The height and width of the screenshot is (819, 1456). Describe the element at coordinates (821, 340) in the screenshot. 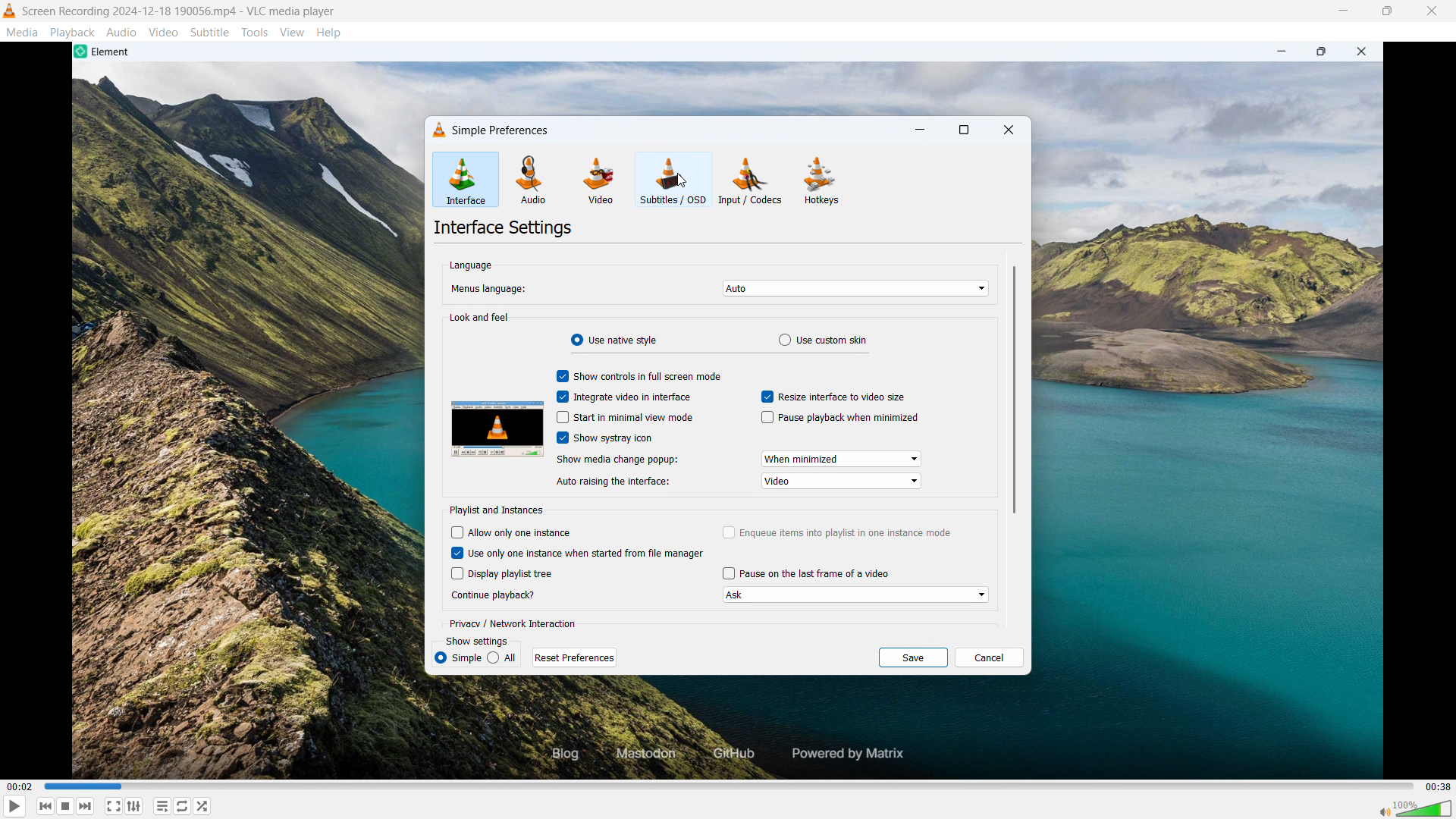

I see `use custom skin` at that location.